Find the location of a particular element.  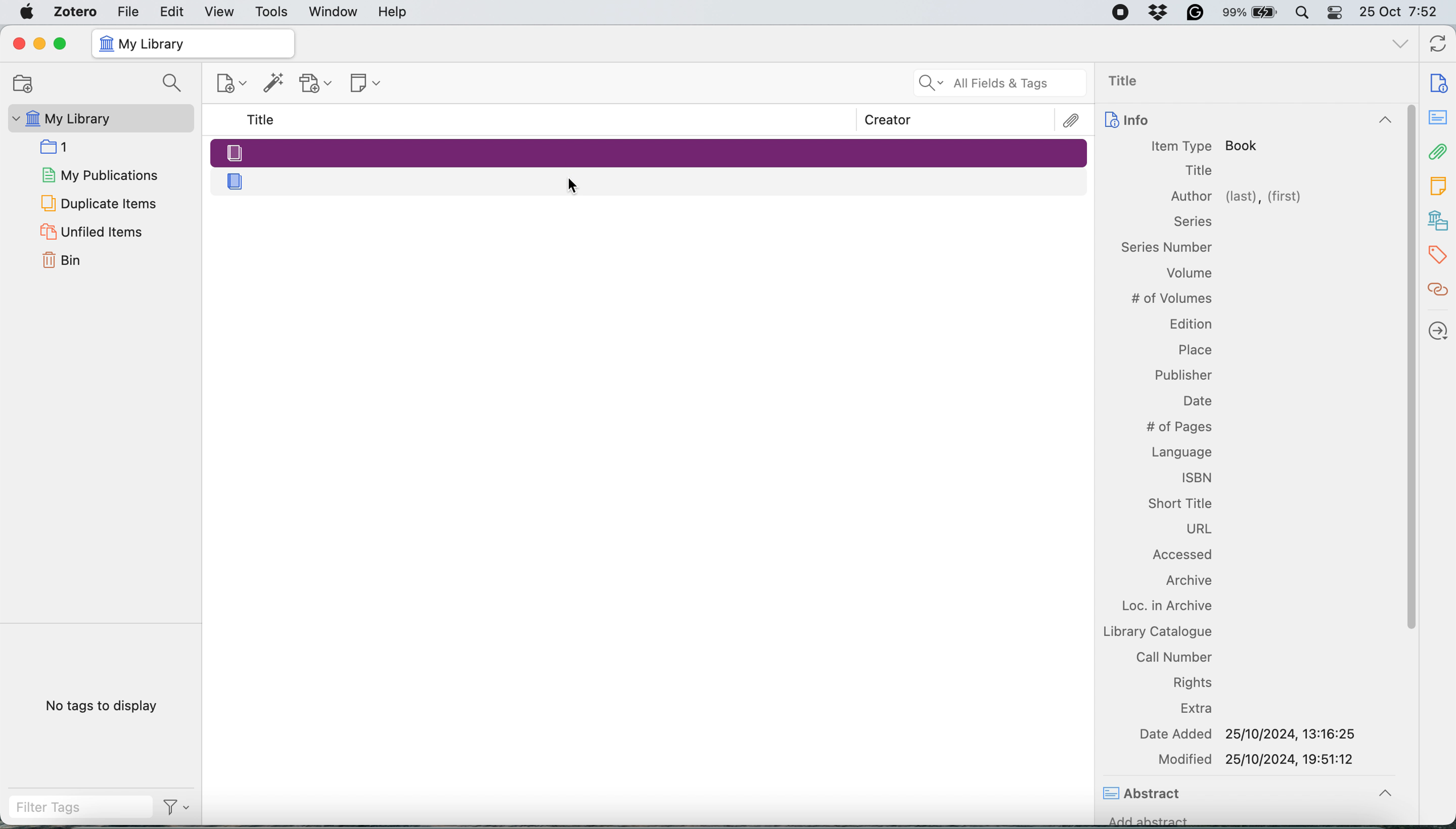

Date Added 25/10/2024, 13:16:25 is located at coordinates (1251, 733).